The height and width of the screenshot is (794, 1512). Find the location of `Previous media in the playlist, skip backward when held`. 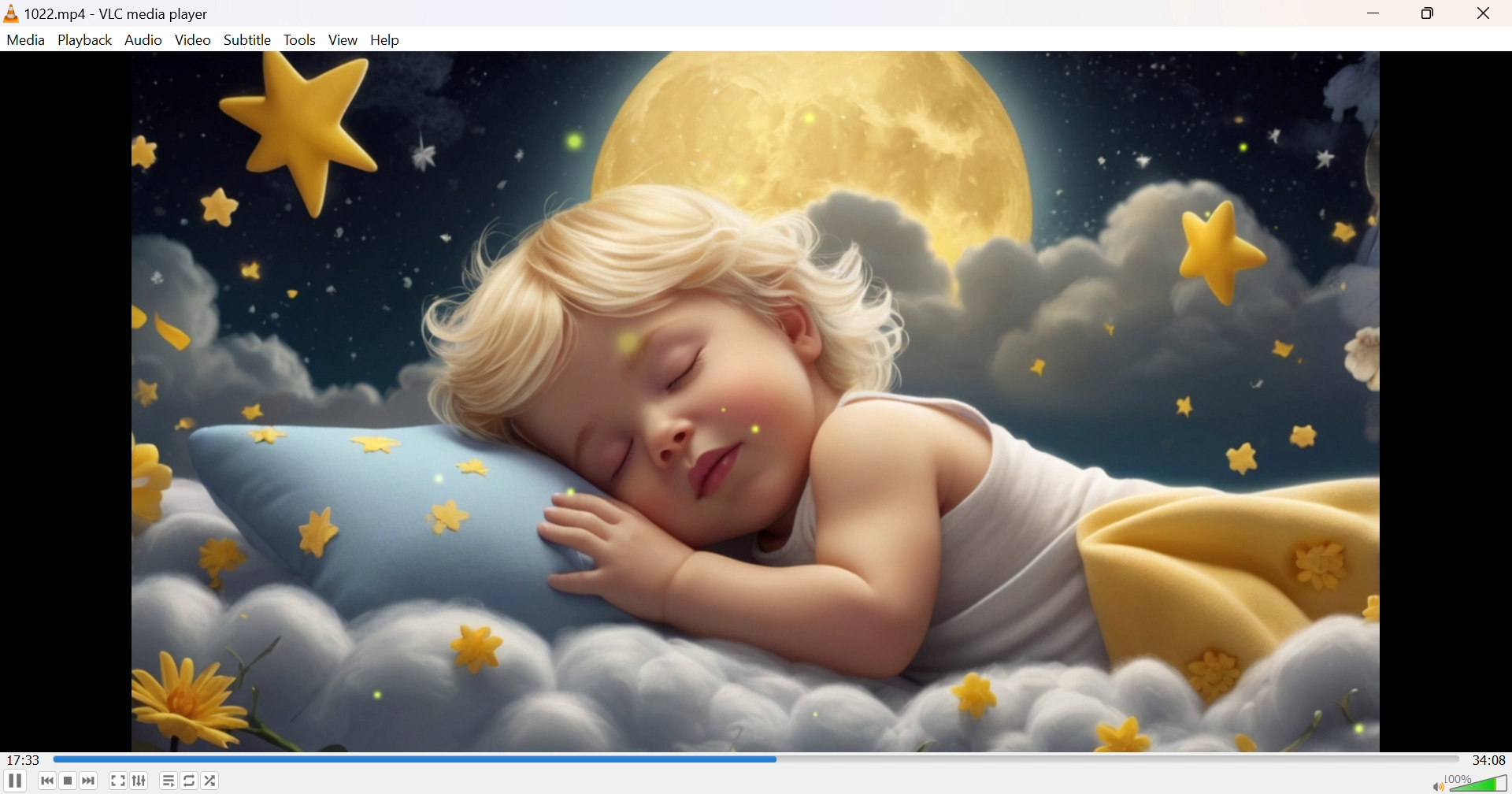

Previous media in the playlist, skip backward when held is located at coordinates (48, 782).